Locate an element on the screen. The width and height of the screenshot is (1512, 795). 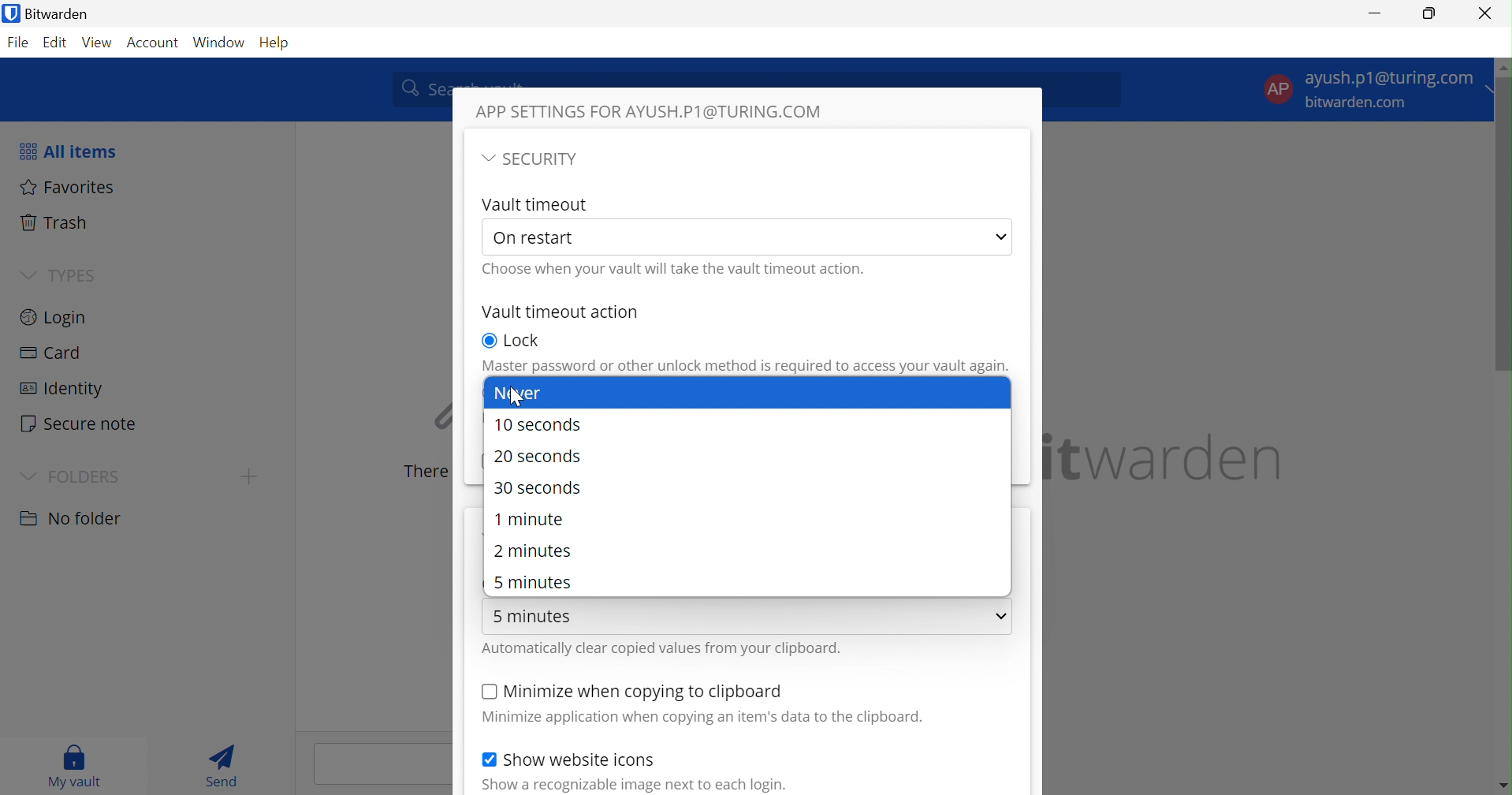
Drop Down is located at coordinates (27, 478).